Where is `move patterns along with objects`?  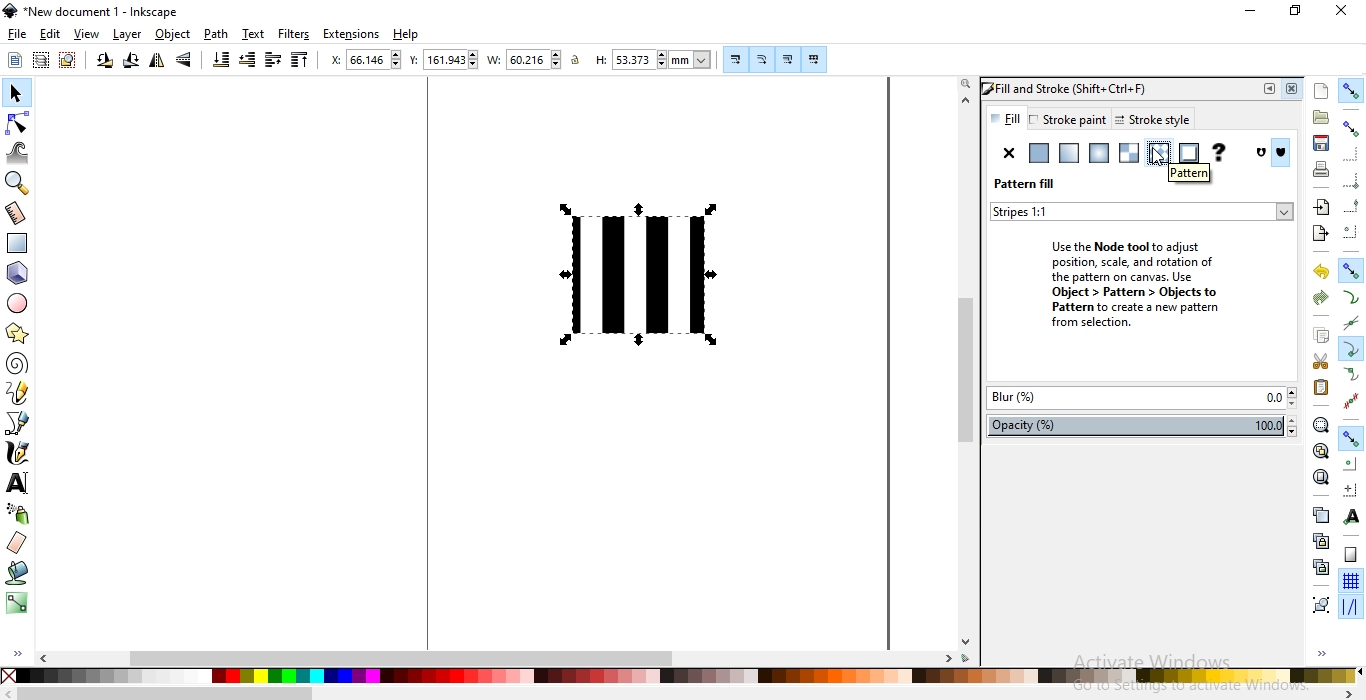 move patterns along with objects is located at coordinates (814, 60).